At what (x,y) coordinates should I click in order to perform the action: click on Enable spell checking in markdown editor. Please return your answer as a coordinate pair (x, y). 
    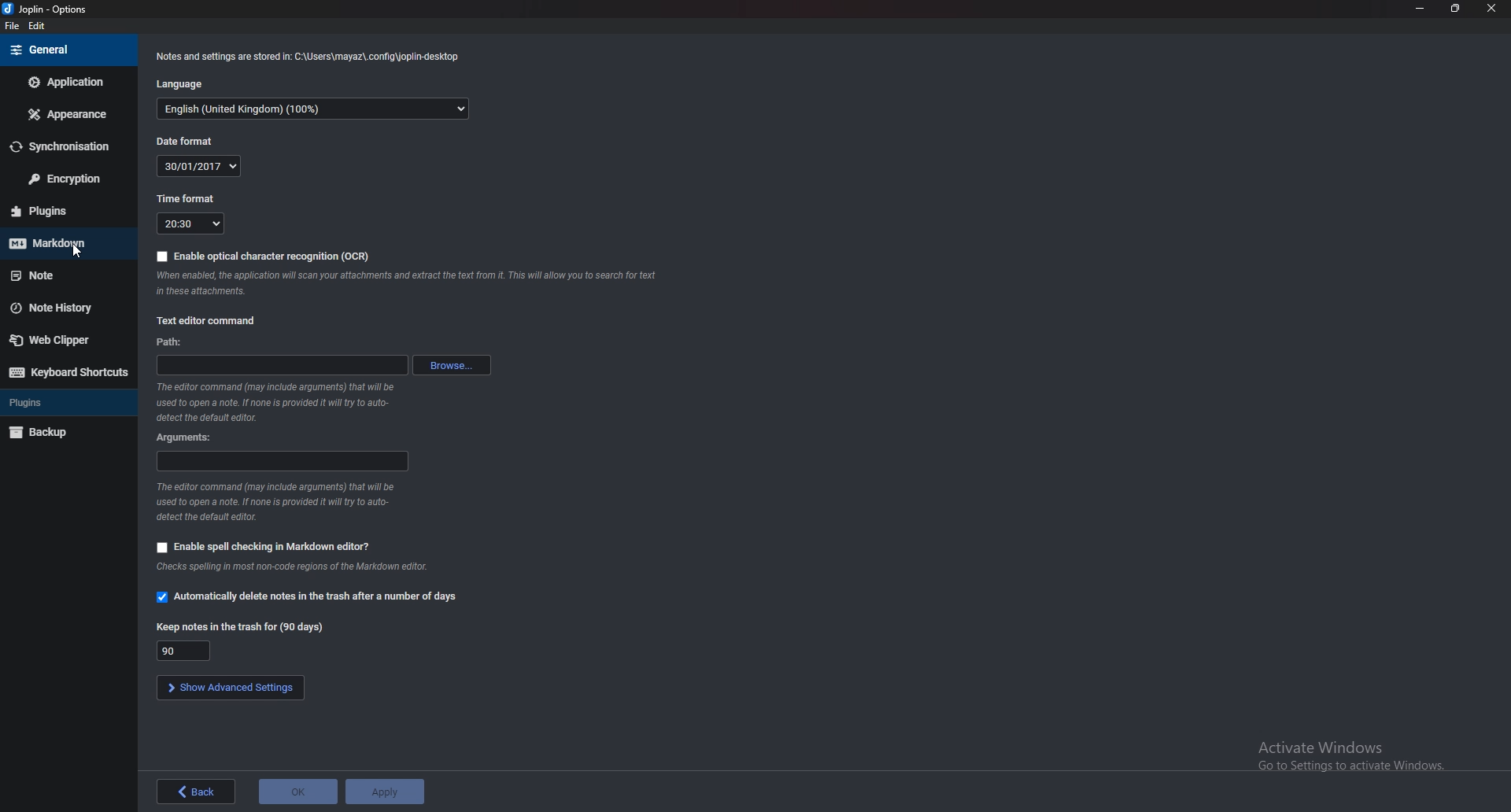
    Looking at the image, I should click on (264, 547).